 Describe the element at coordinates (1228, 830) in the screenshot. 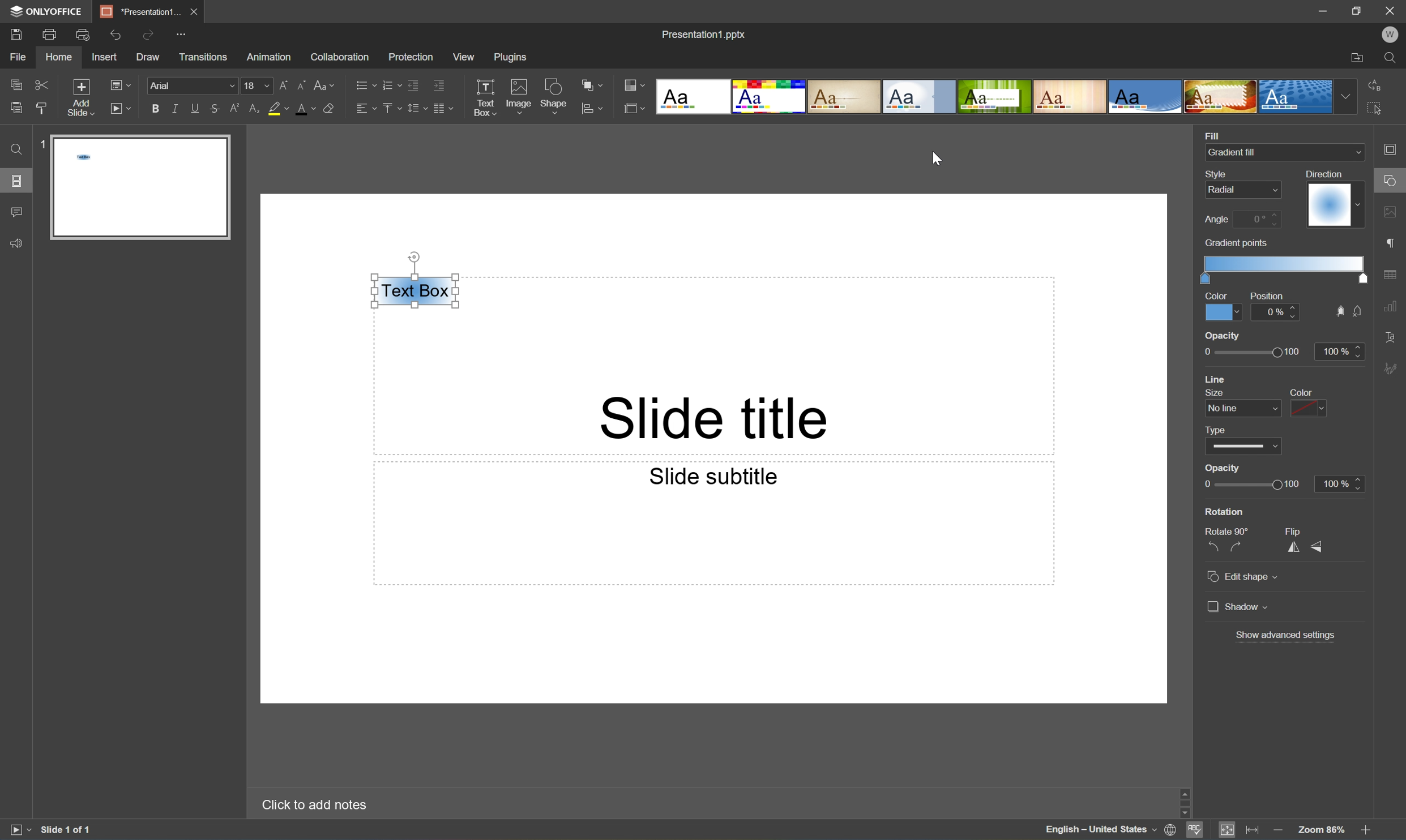

I see `Fit to slide` at that location.